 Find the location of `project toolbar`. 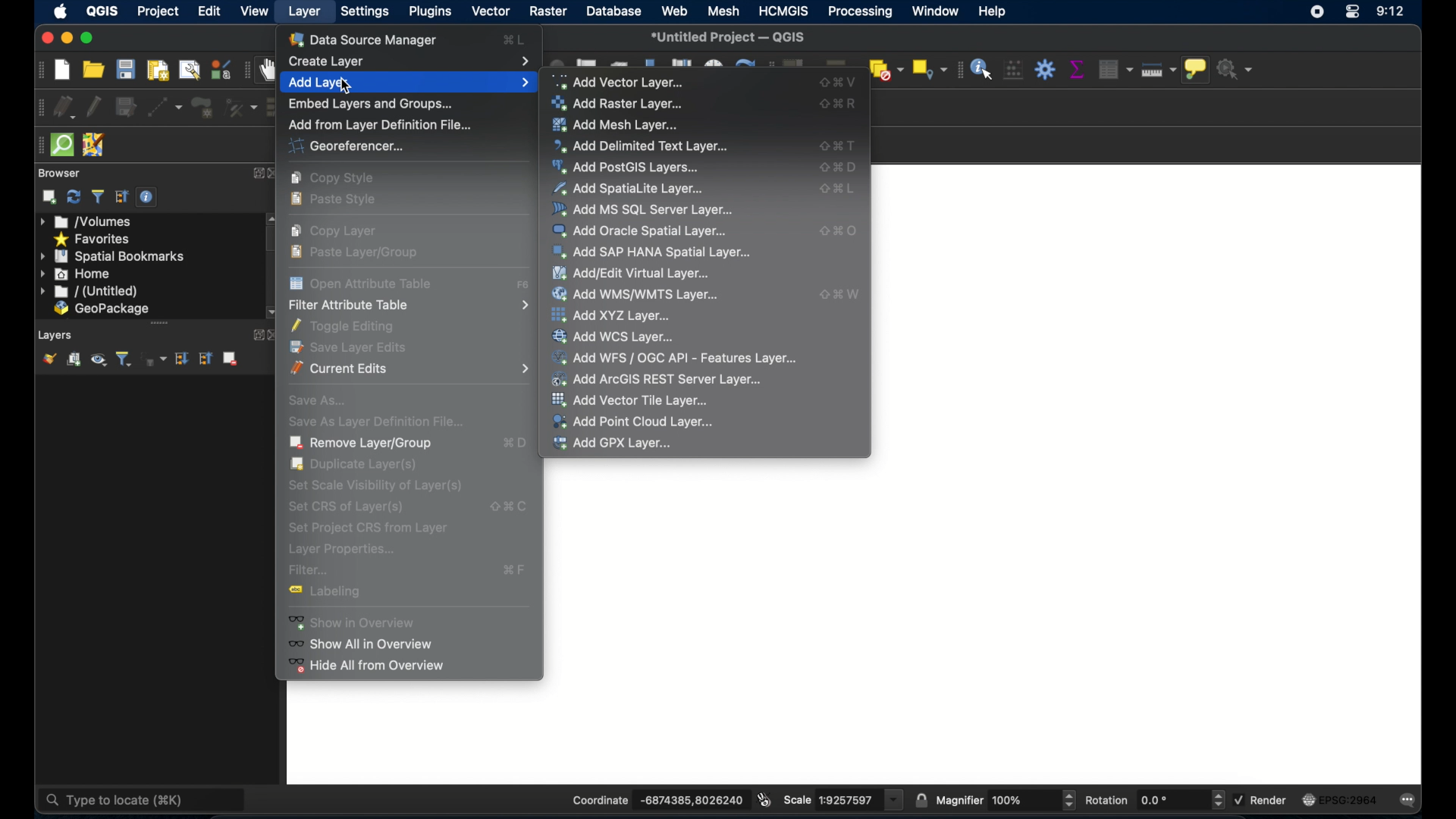

project toolbar is located at coordinates (35, 71).